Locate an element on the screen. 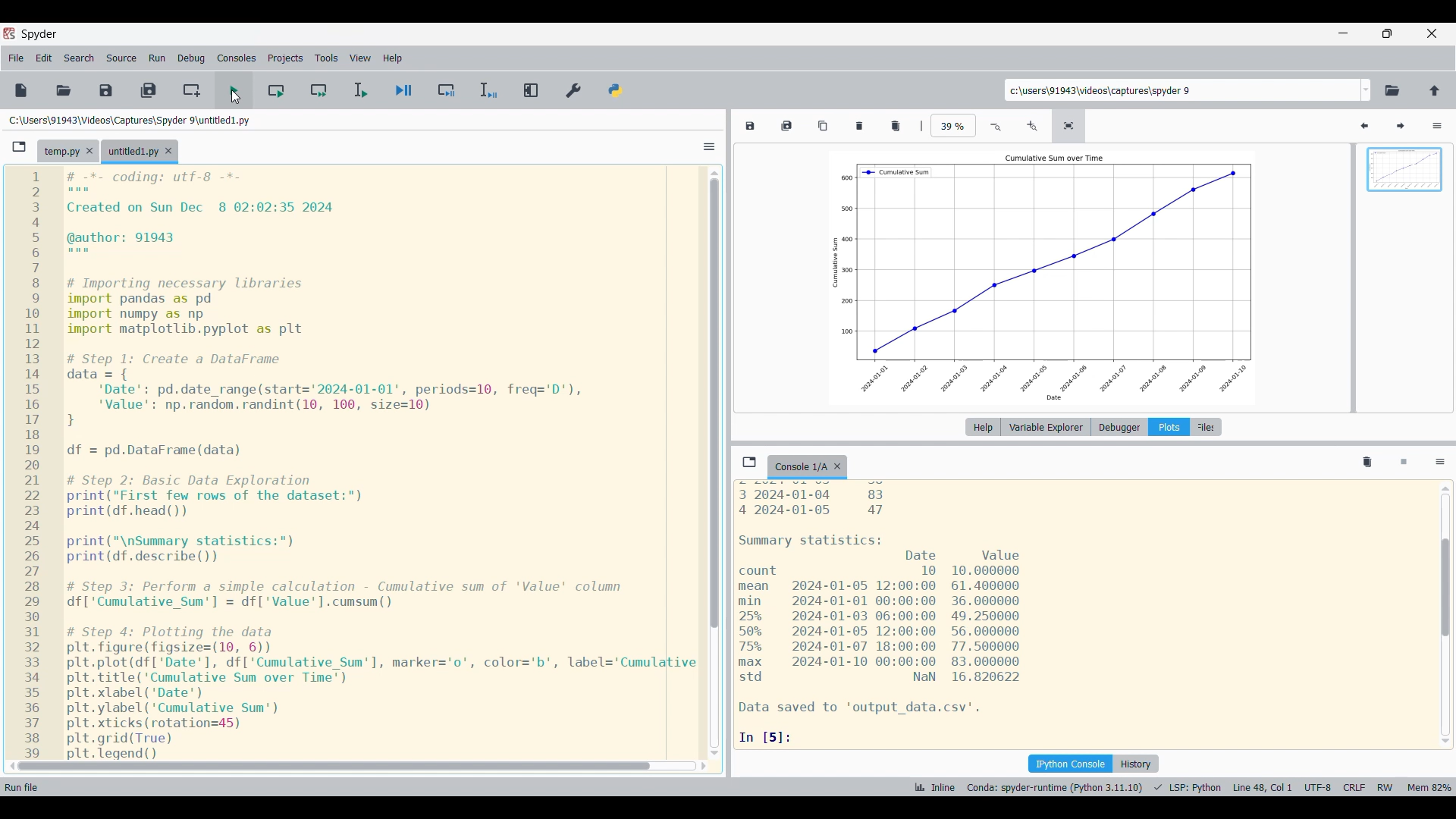  Run selection/current line is located at coordinates (360, 91).